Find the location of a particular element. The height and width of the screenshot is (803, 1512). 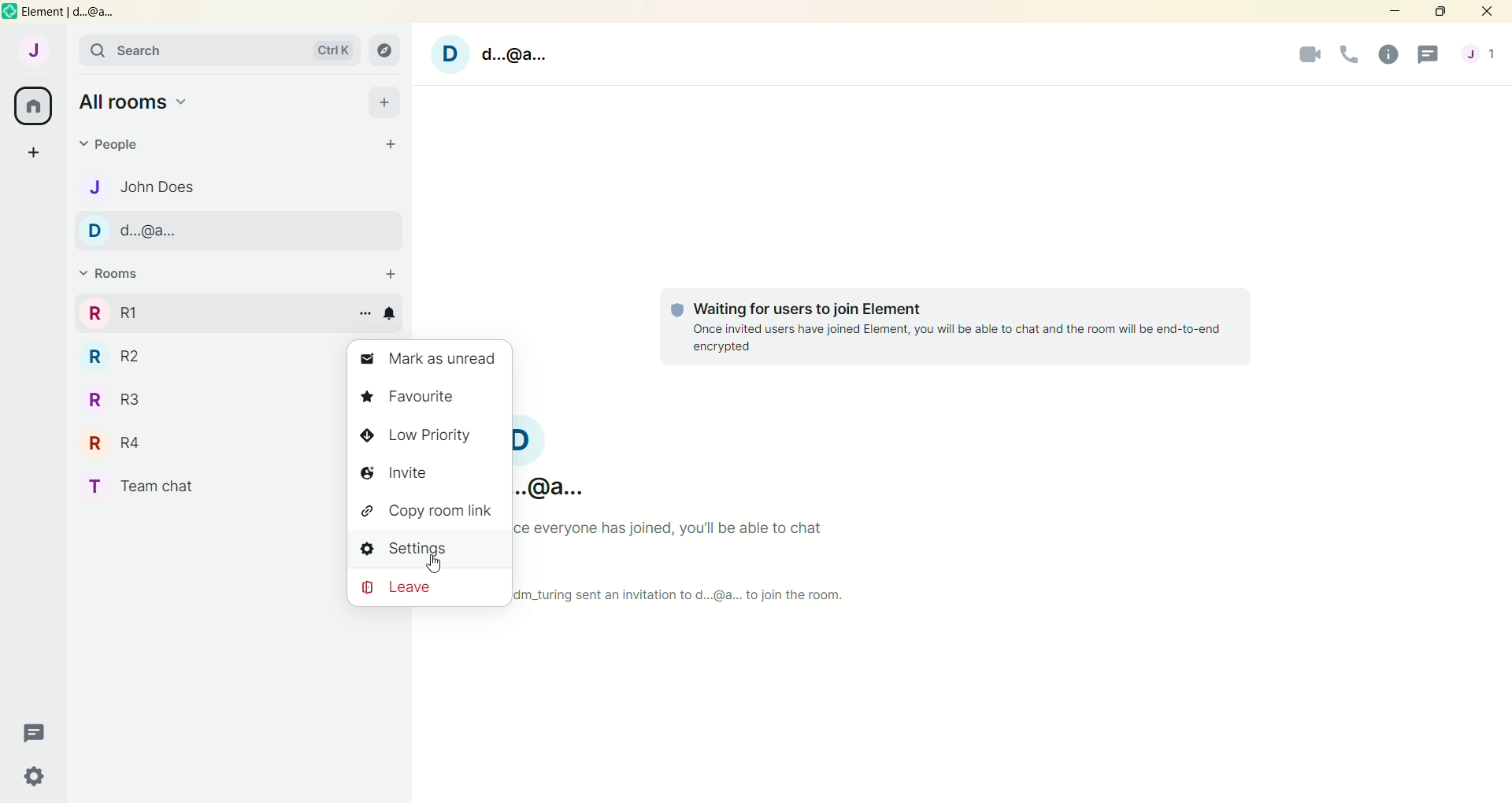

Element | d..@a... is located at coordinates (69, 12).